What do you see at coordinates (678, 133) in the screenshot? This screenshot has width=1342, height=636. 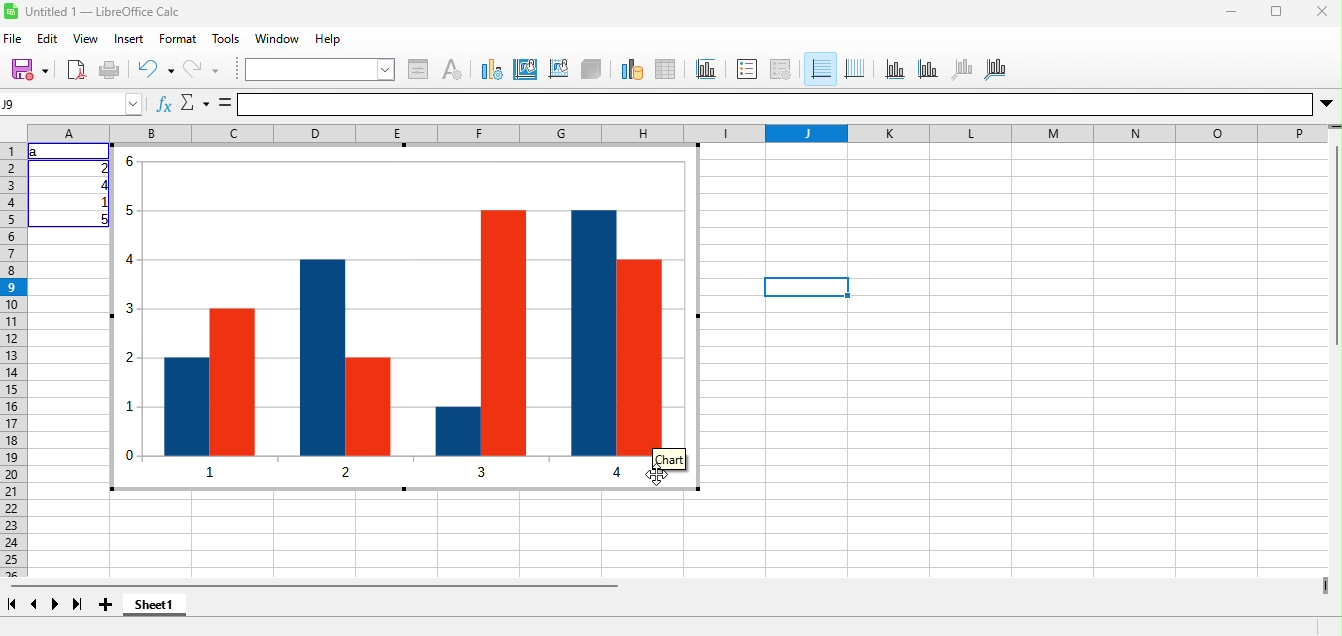 I see `column headings` at bounding box center [678, 133].